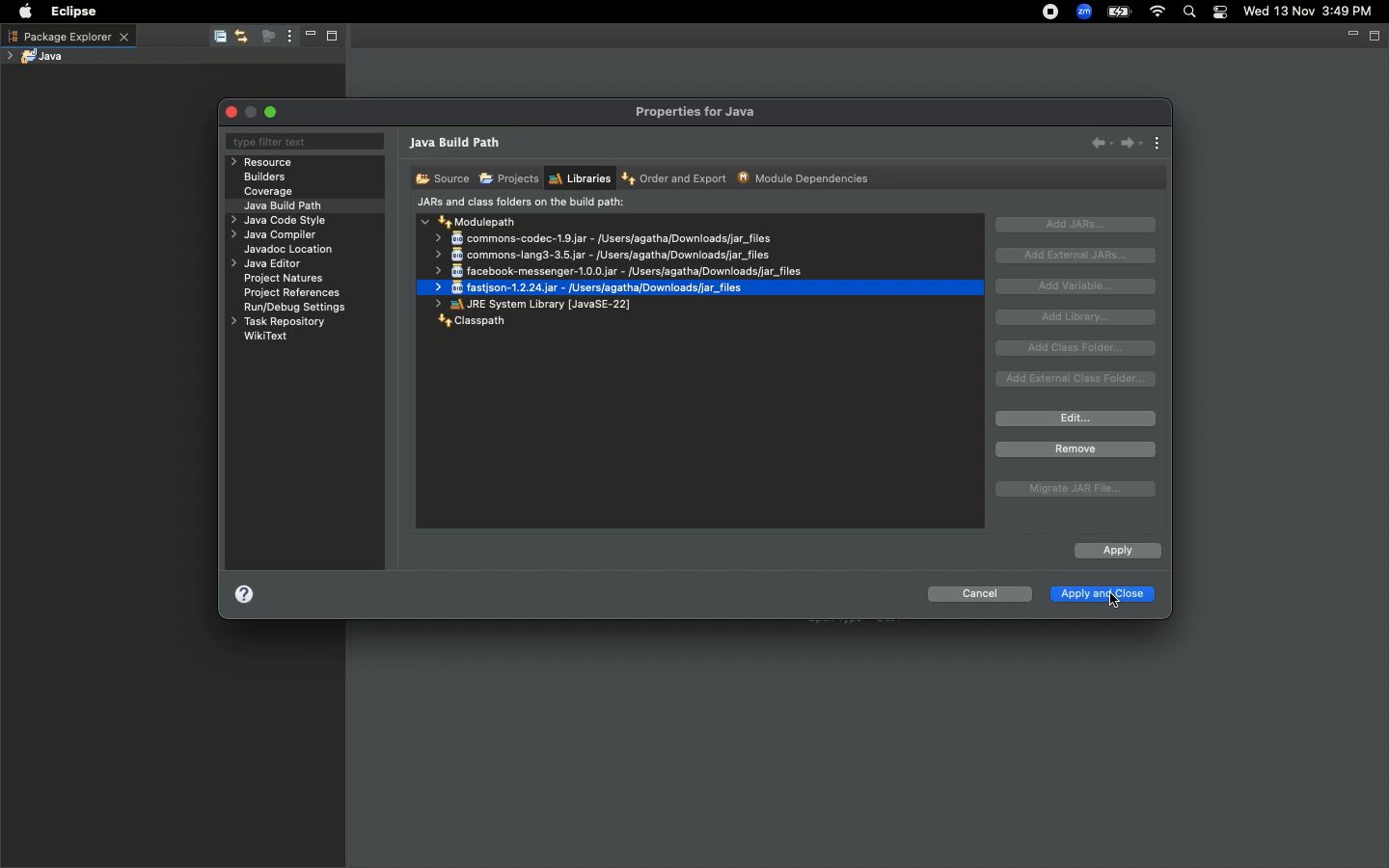 Image resolution: width=1389 pixels, height=868 pixels. What do you see at coordinates (244, 598) in the screenshot?
I see `Help` at bounding box center [244, 598].